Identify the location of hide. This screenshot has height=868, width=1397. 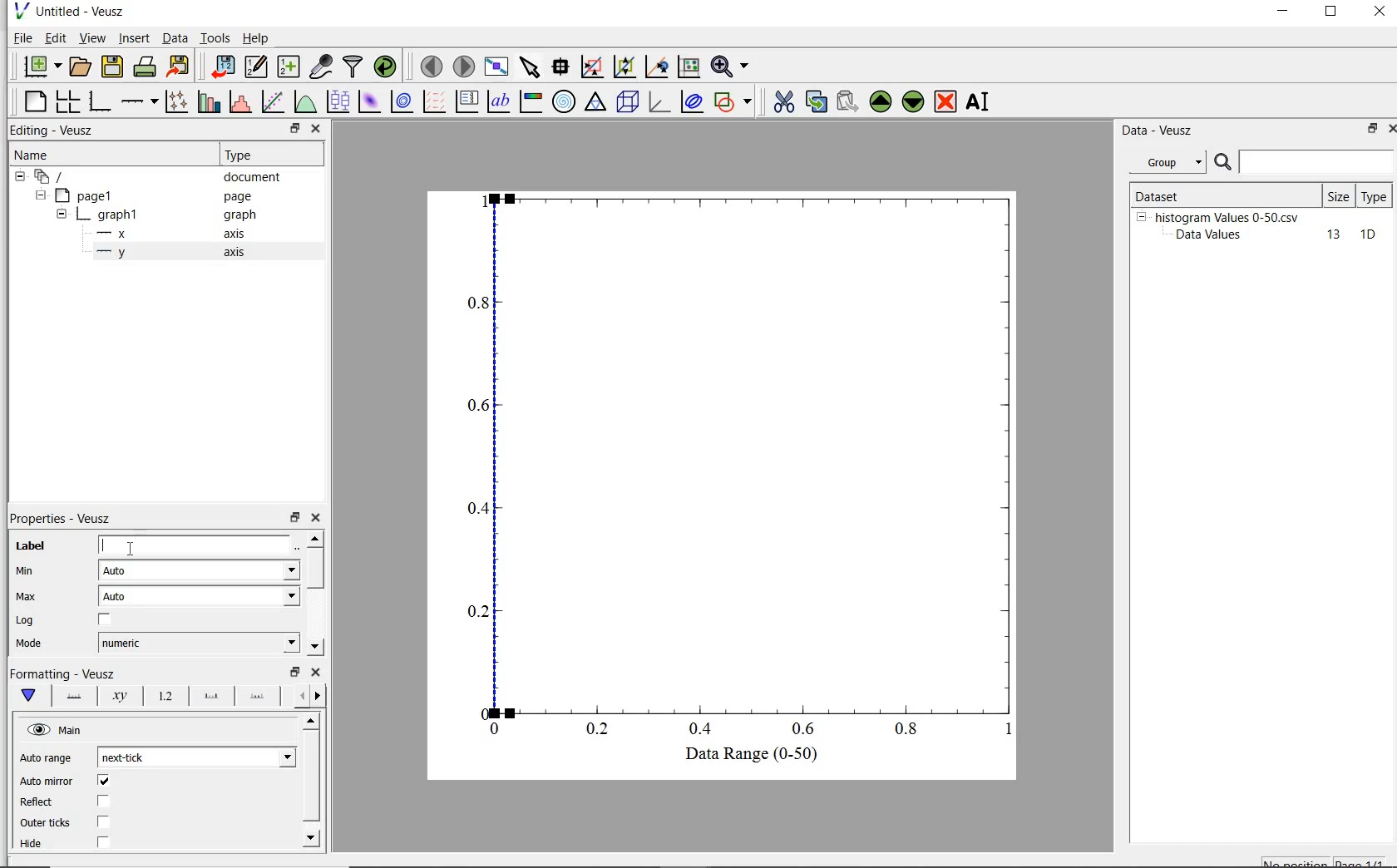
(39, 195).